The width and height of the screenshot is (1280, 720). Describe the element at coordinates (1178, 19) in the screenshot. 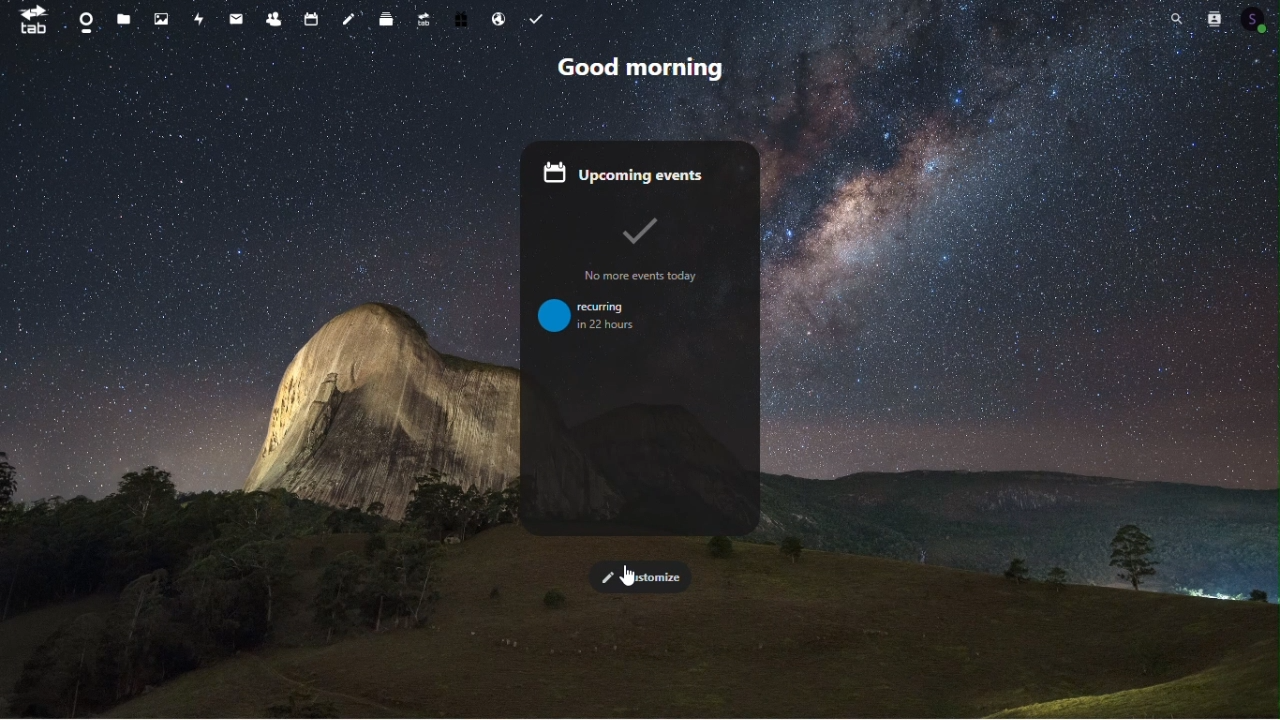

I see `Search` at that location.